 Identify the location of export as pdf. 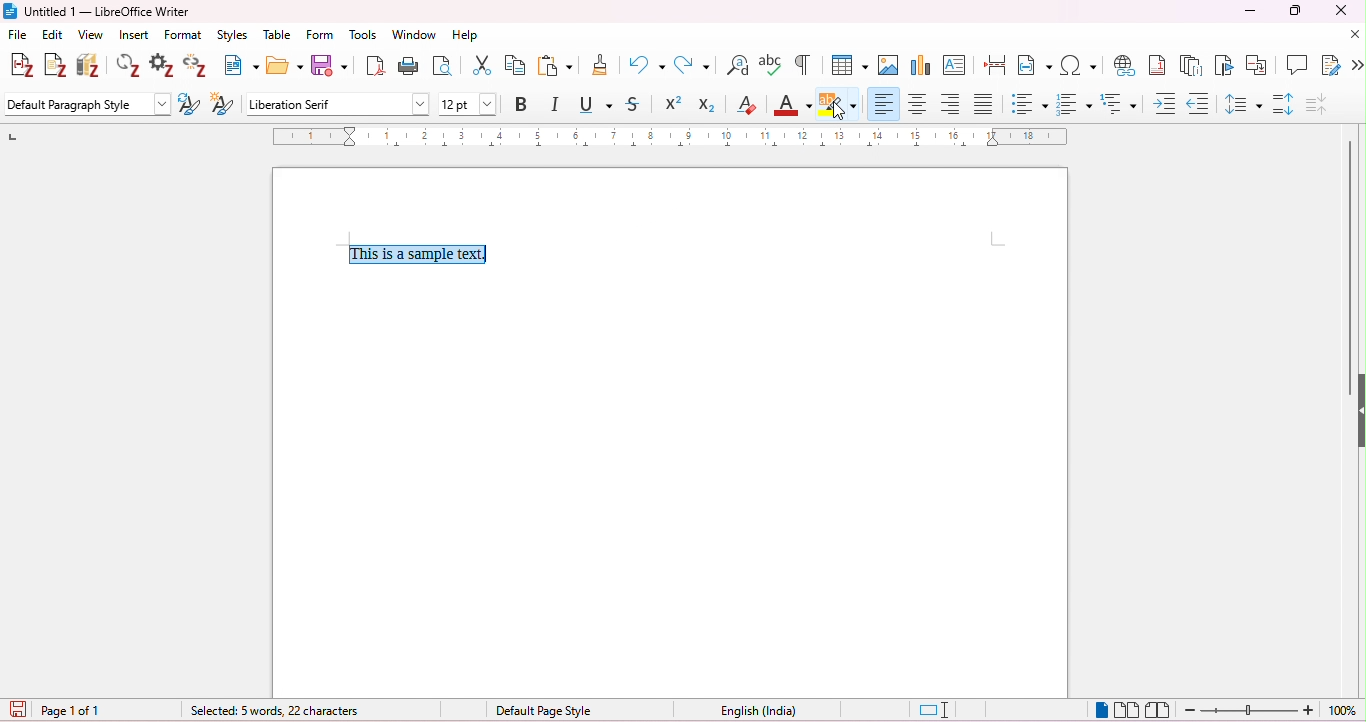
(377, 66).